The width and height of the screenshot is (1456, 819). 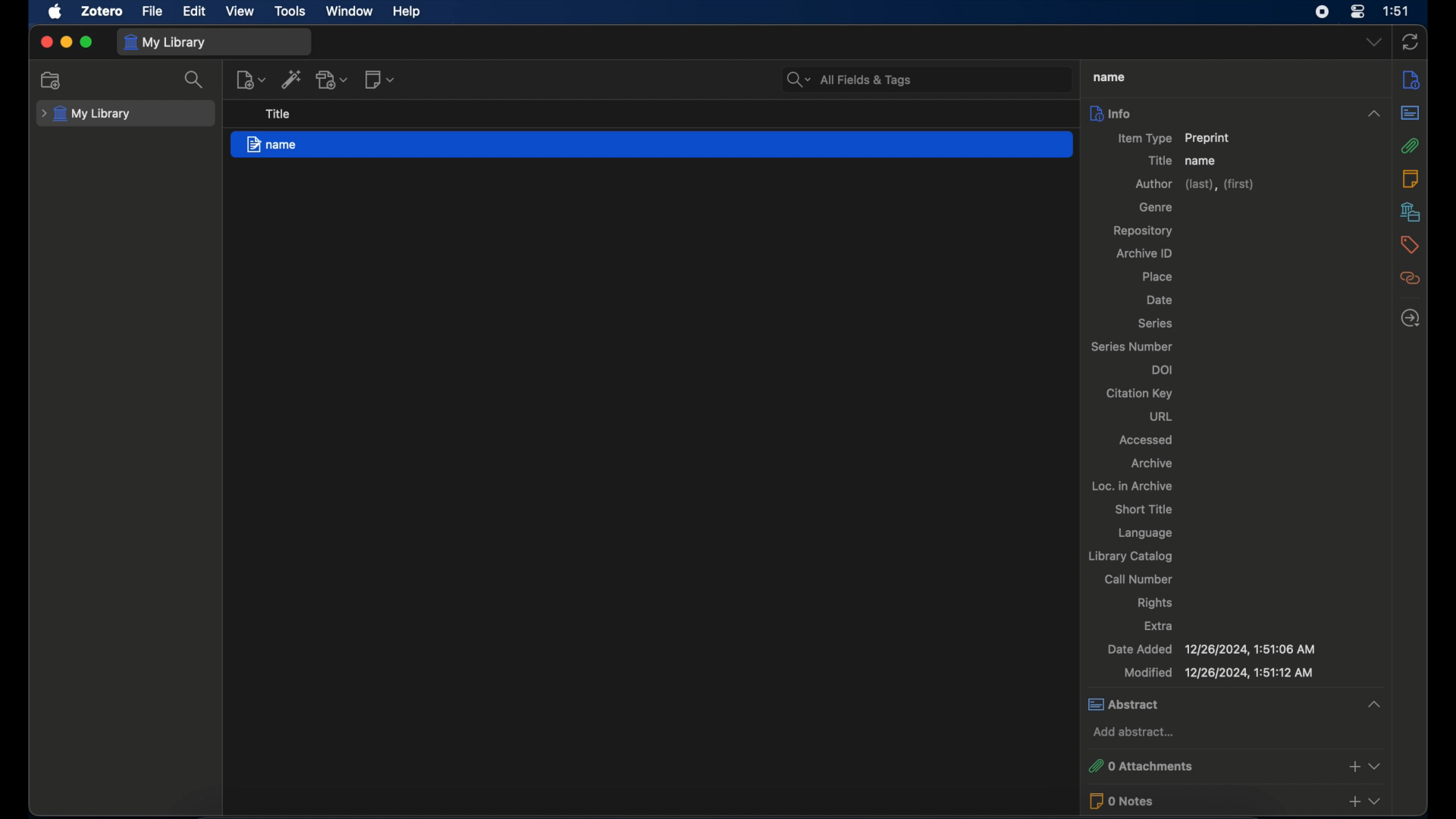 I want to click on tools, so click(x=290, y=11).